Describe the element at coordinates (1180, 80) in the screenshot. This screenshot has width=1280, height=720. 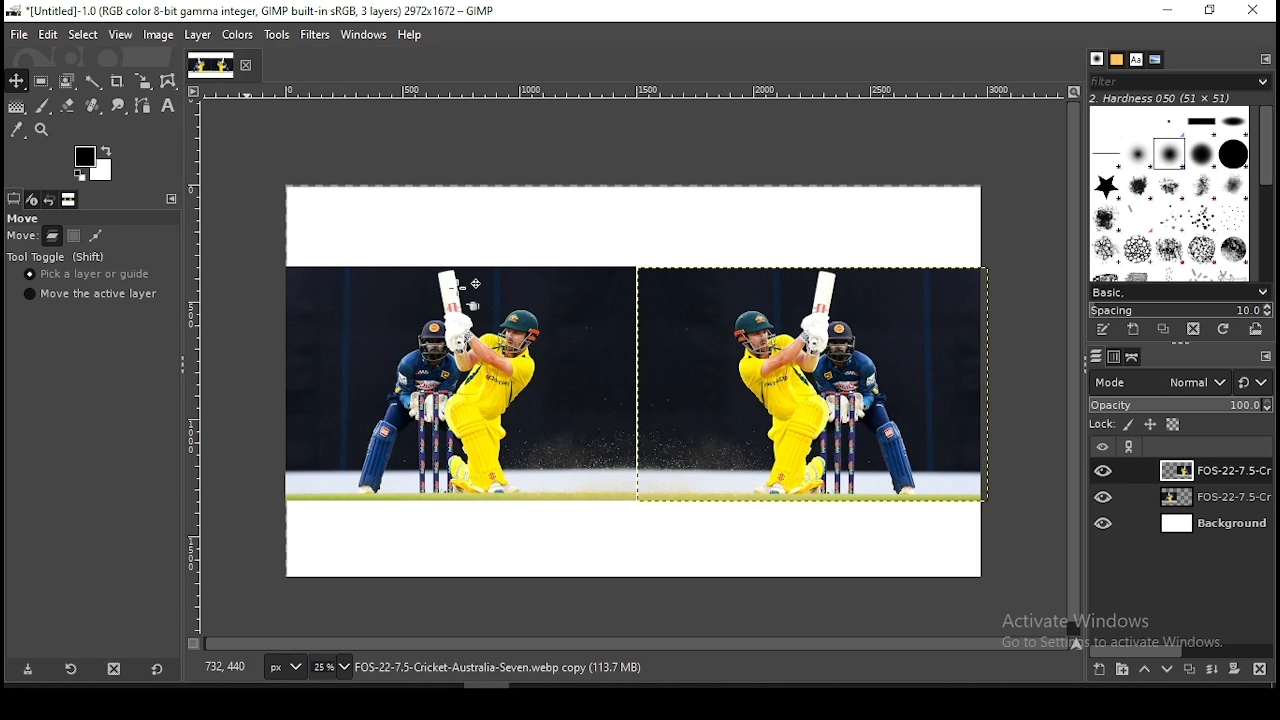
I see `brushes filter` at that location.